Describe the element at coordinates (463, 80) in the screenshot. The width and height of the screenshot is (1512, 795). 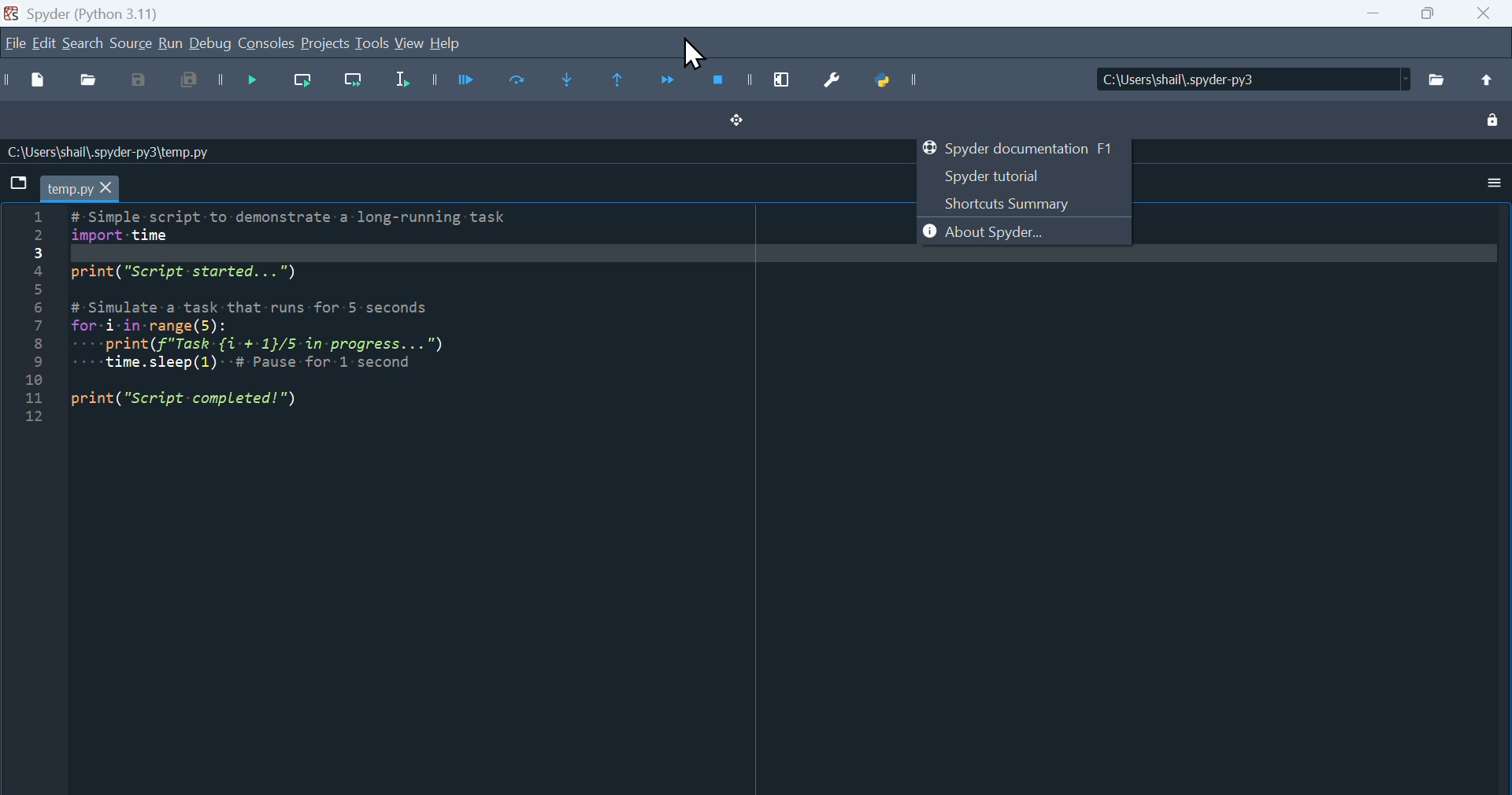
I see `Run file` at that location.